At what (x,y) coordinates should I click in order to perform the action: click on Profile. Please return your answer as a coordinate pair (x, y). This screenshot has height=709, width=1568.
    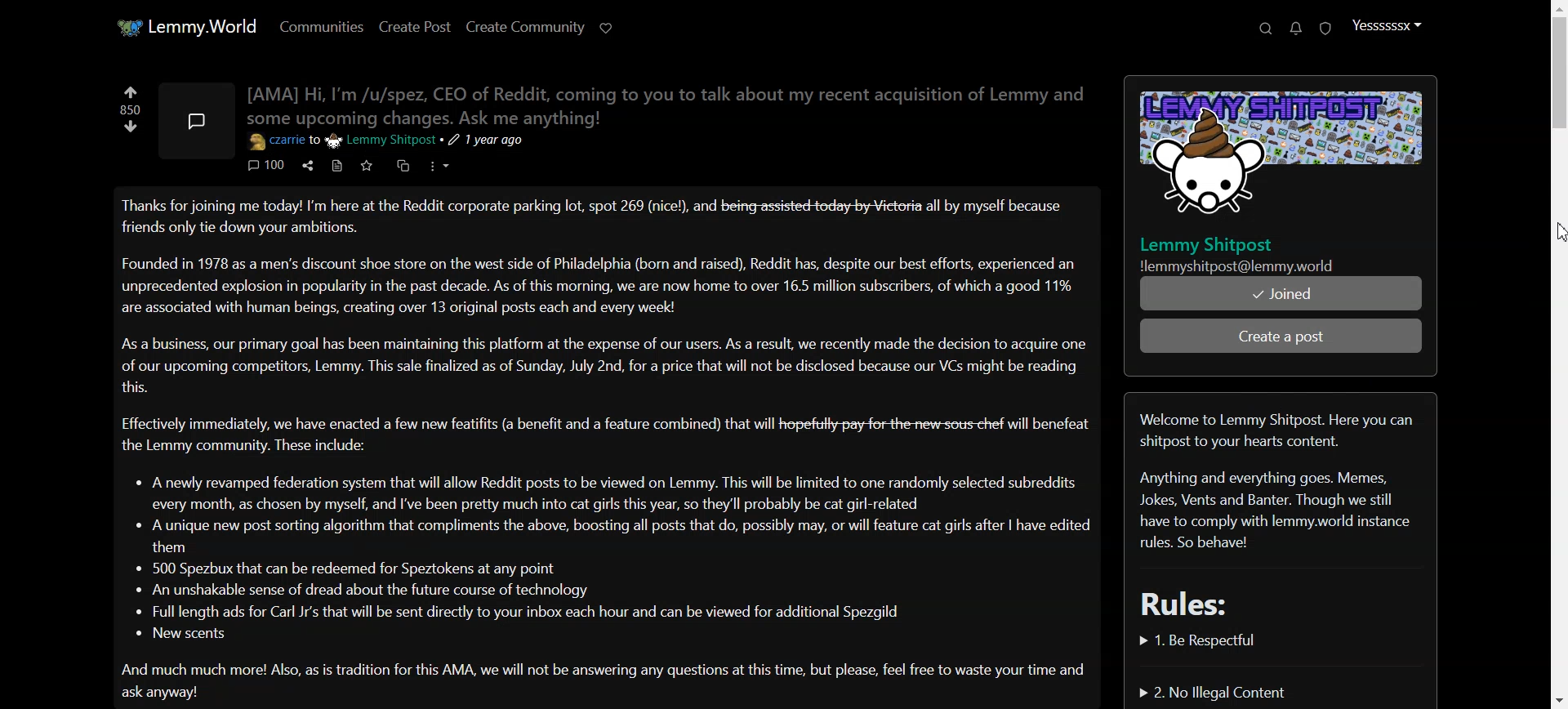
    Looking at the image, I should click on (1386, 26).